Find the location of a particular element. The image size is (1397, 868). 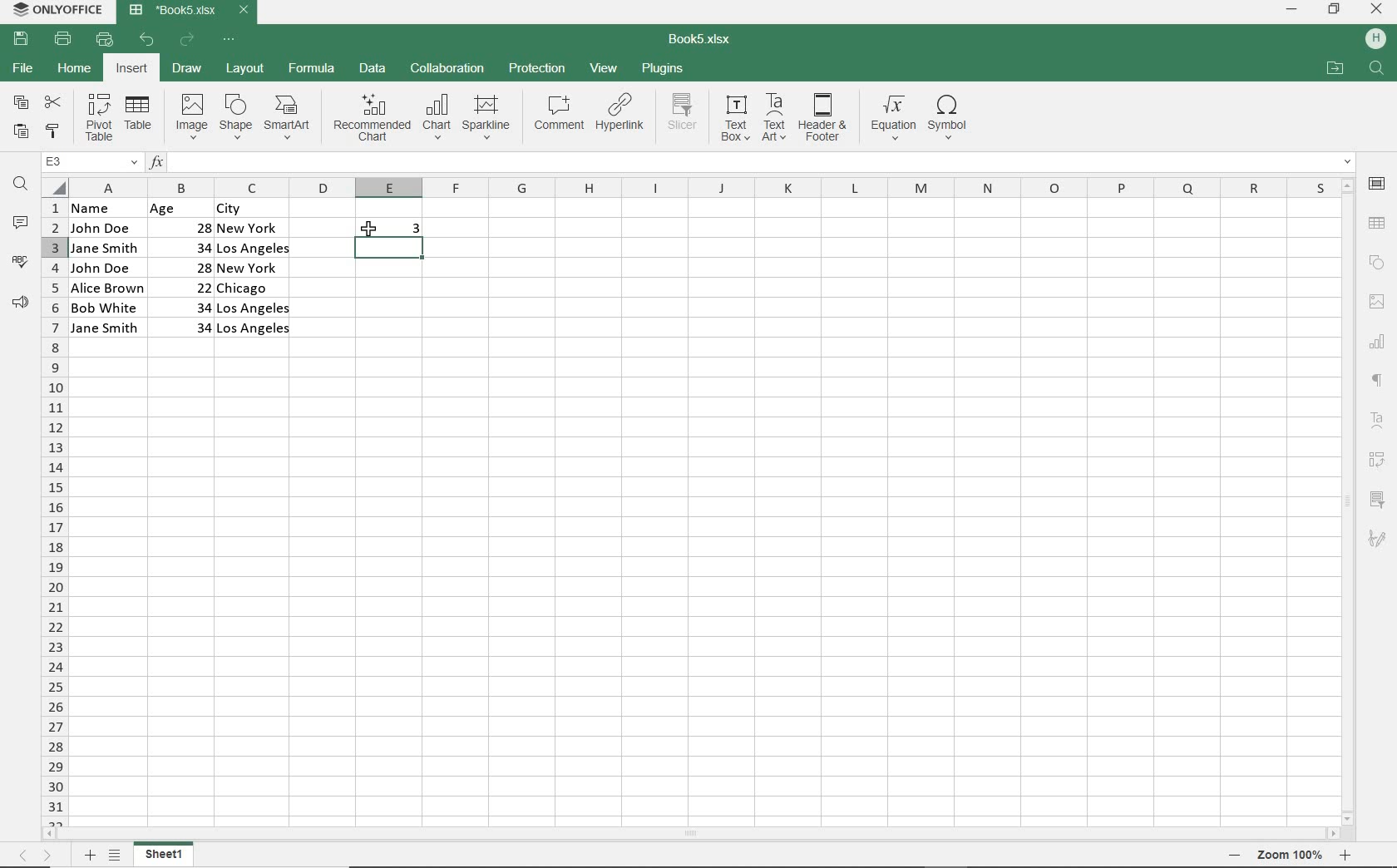

Los Angeles is located at coordinates (256, 308).